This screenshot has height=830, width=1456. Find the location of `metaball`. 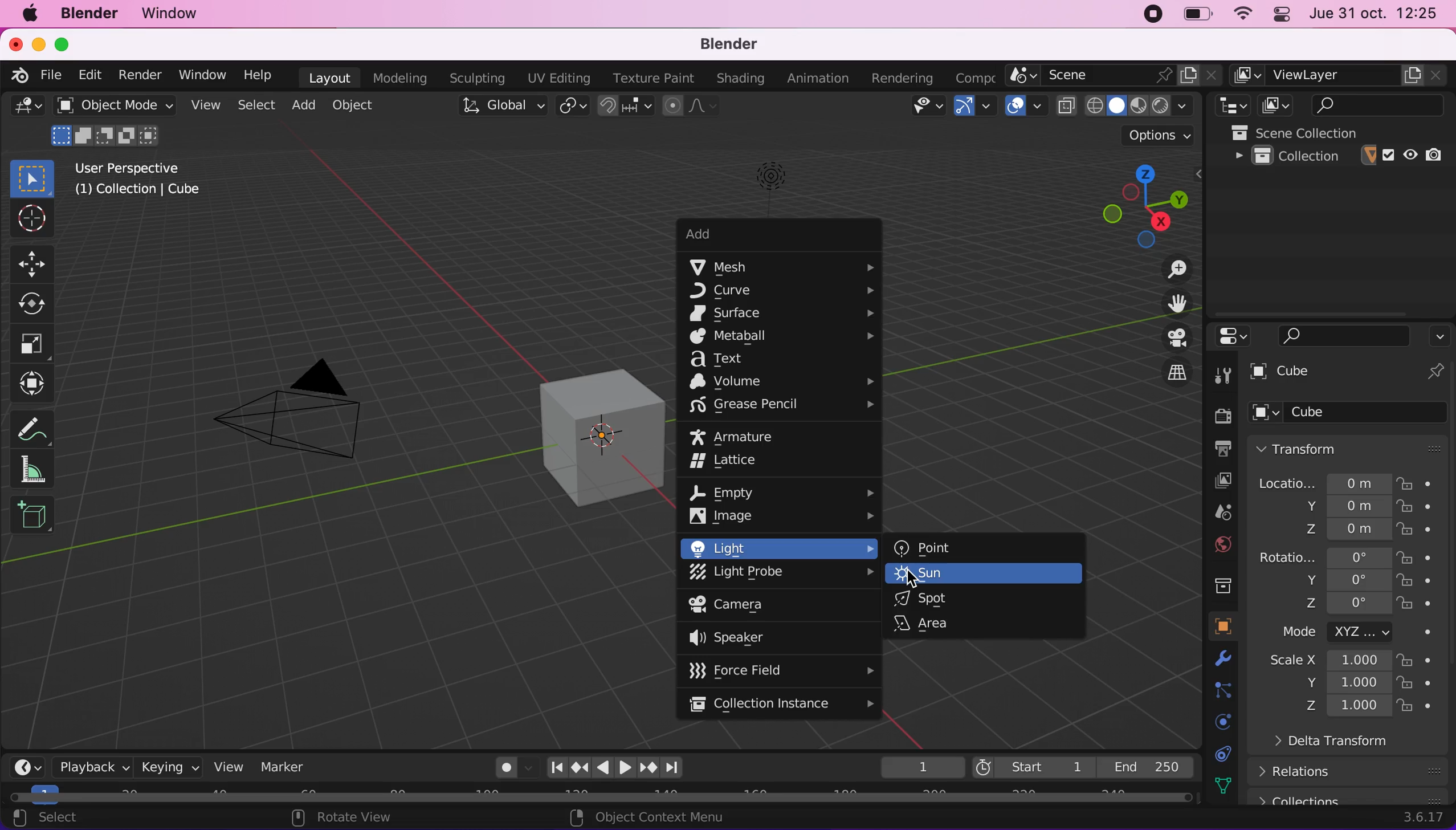

metaball is located at coordinates (781, 337).